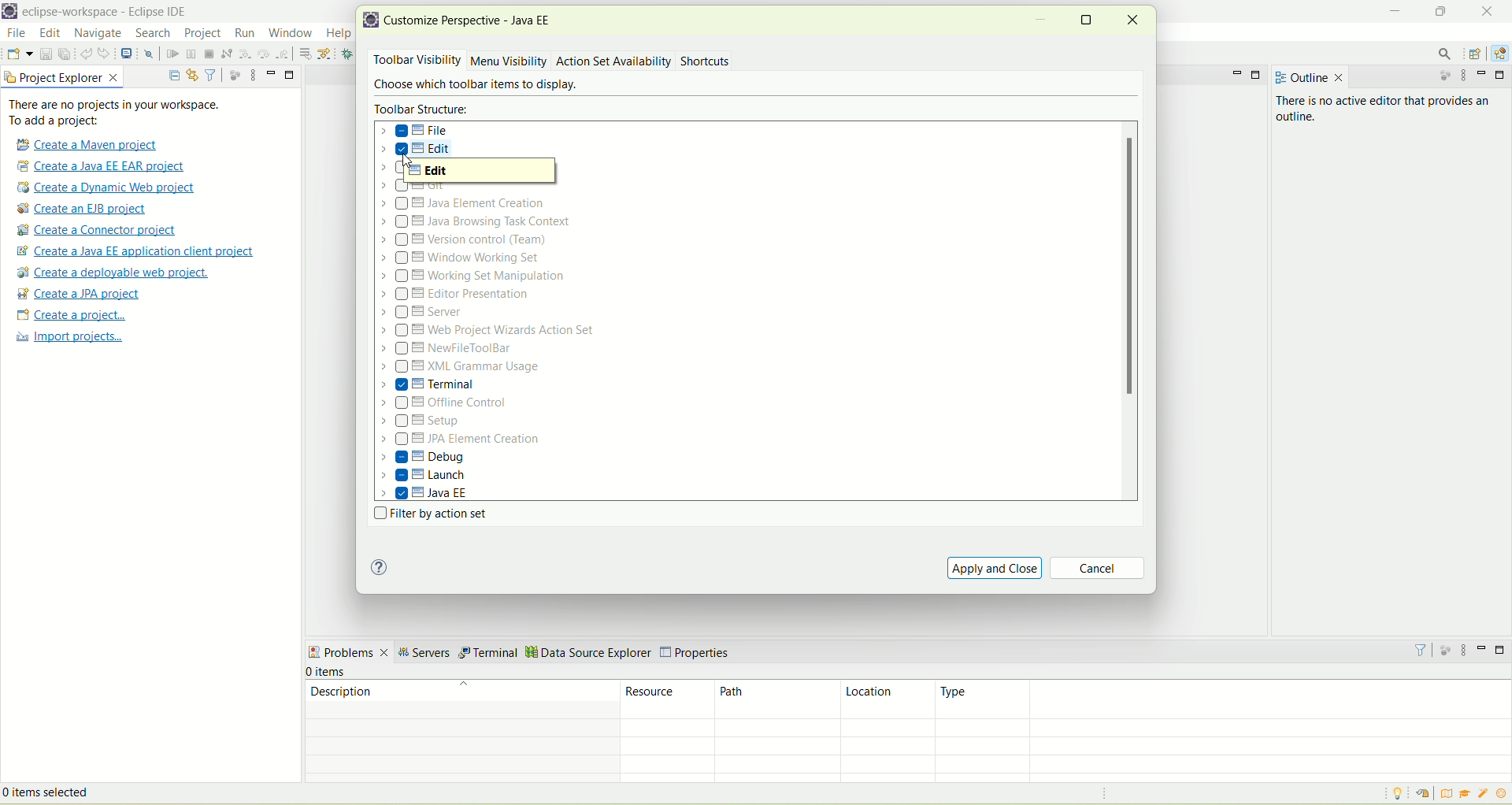 This screenshot has width=1512, height=805. What do you see at coordinates (460, 440) in the screenshot?
I see `JPA element creation` at bounding box center [460, 440].